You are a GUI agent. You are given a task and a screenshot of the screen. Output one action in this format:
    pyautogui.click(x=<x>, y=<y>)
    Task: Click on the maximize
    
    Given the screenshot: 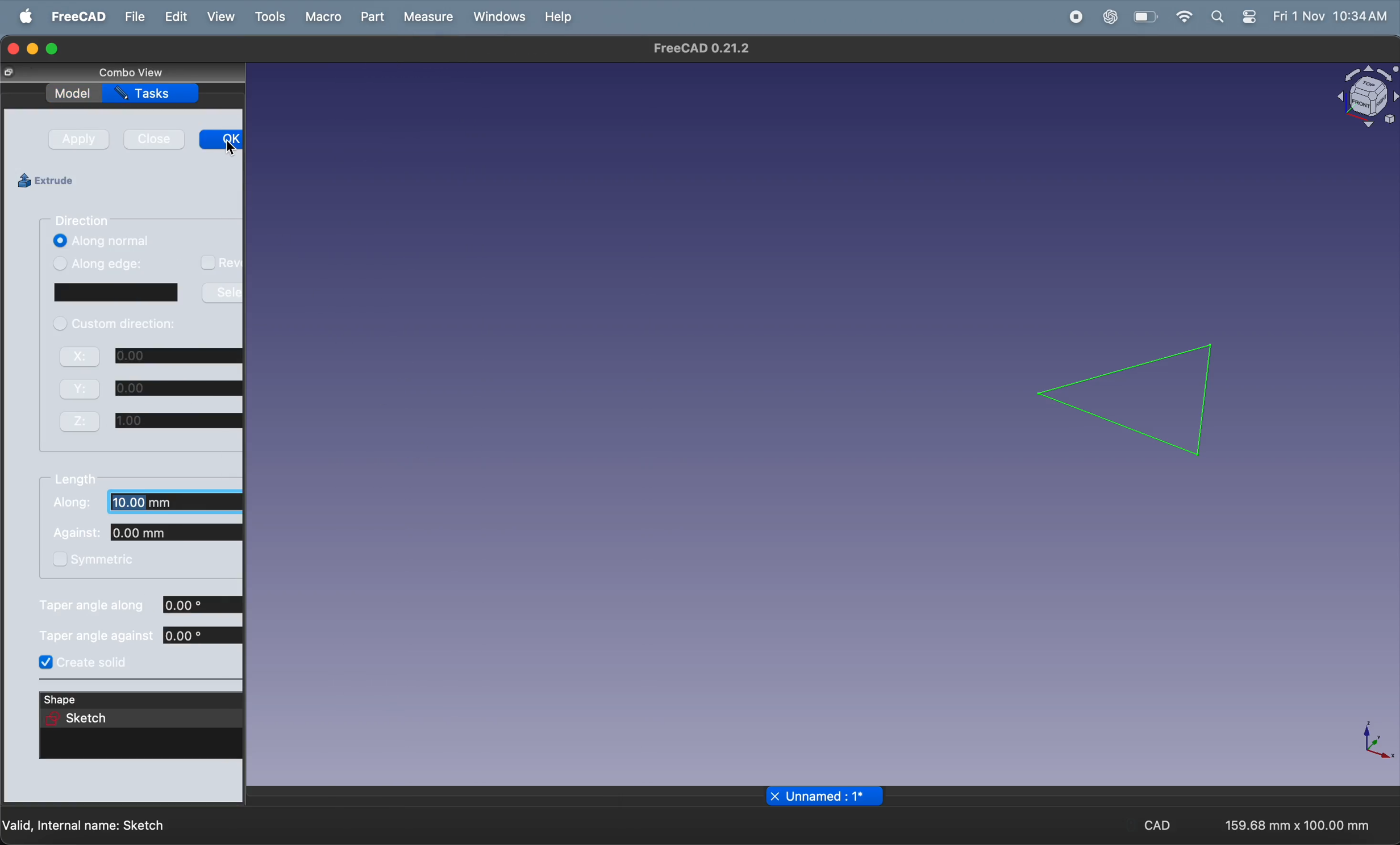 What is the action you would take?
    pyautogui.click(x=53, y=48)
    